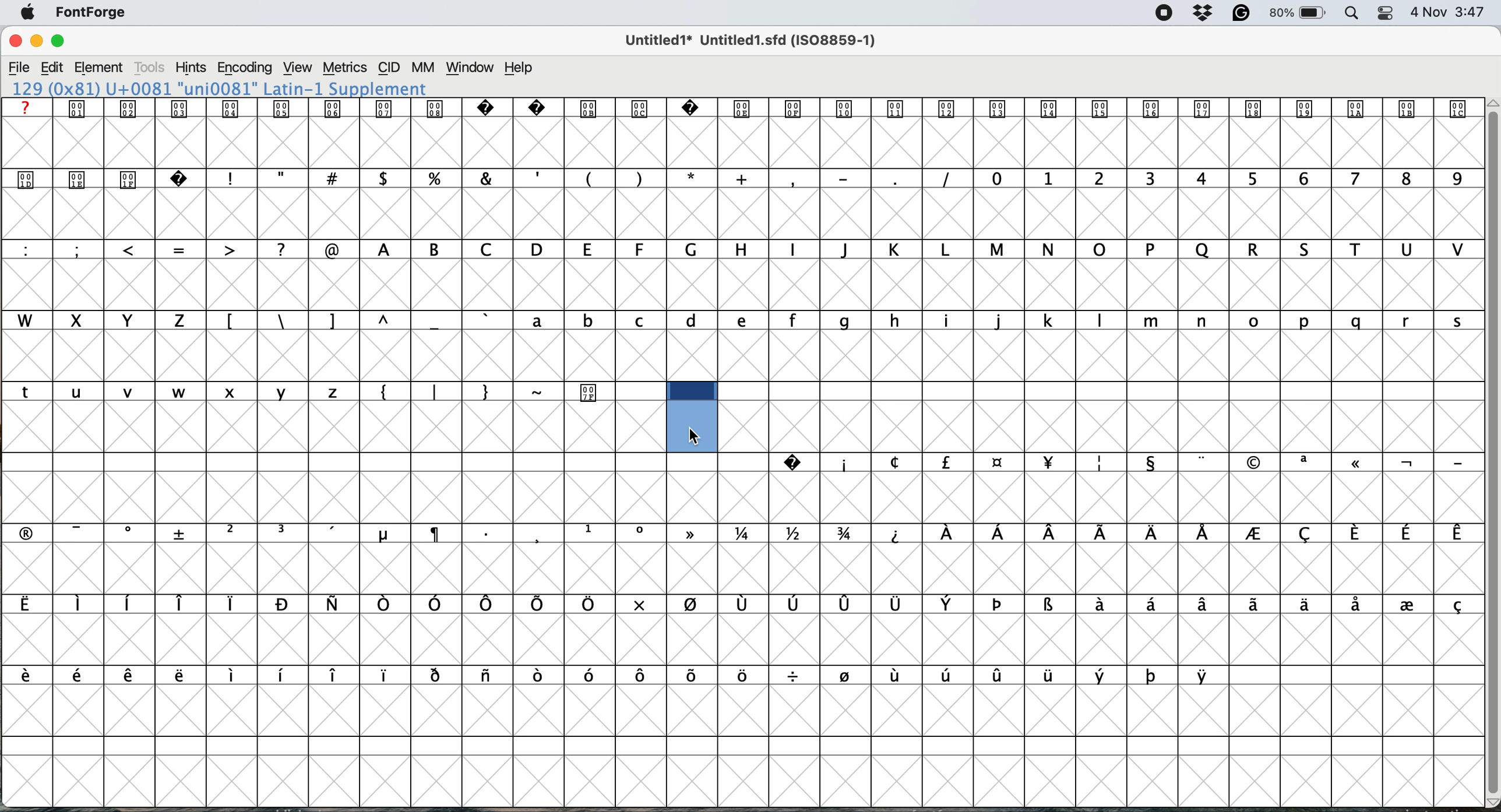  I want to click on vertical scroll bar, so click(1490, 451).